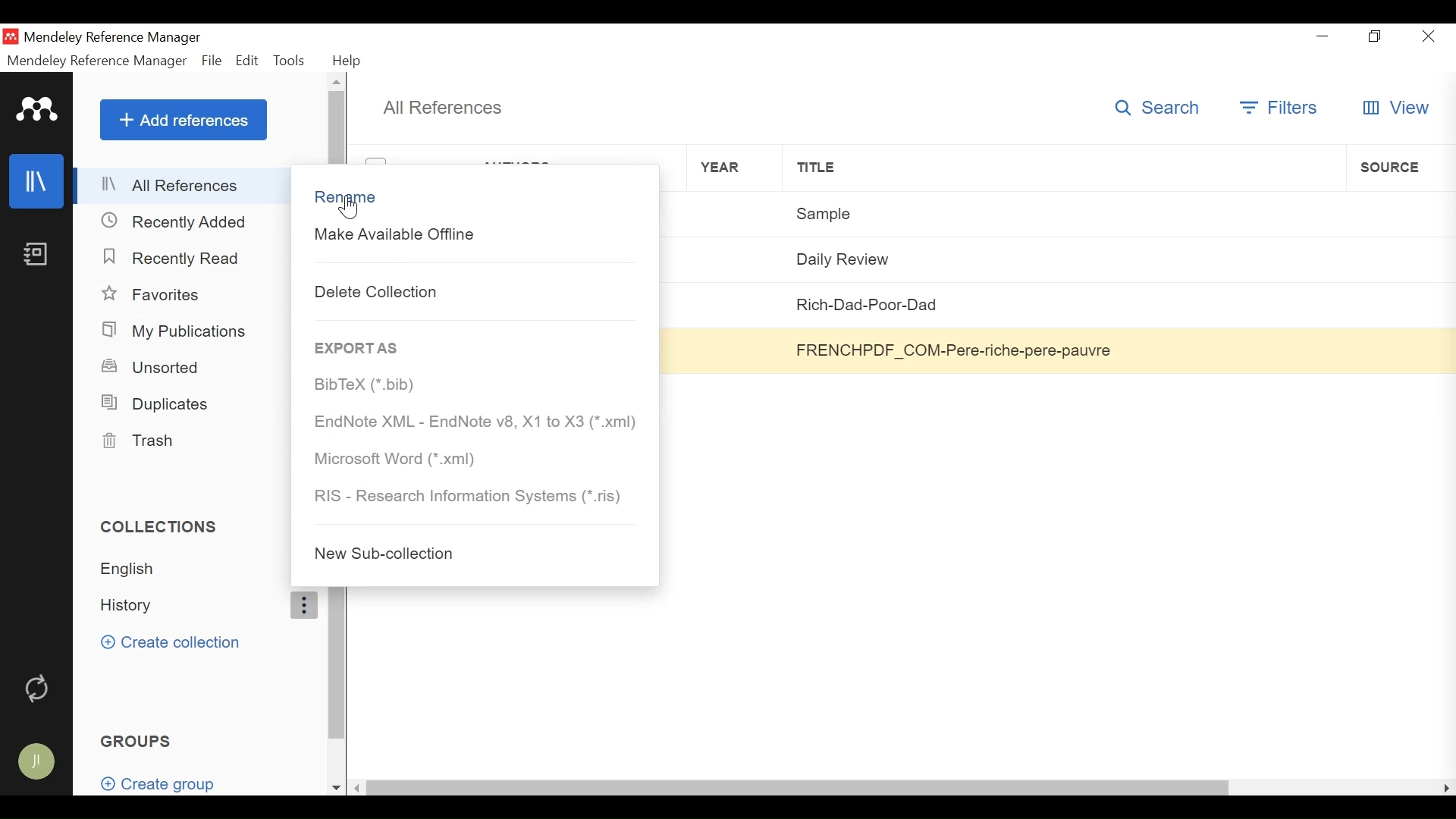  I want to click on Scroll Right, so click(1447, 787).